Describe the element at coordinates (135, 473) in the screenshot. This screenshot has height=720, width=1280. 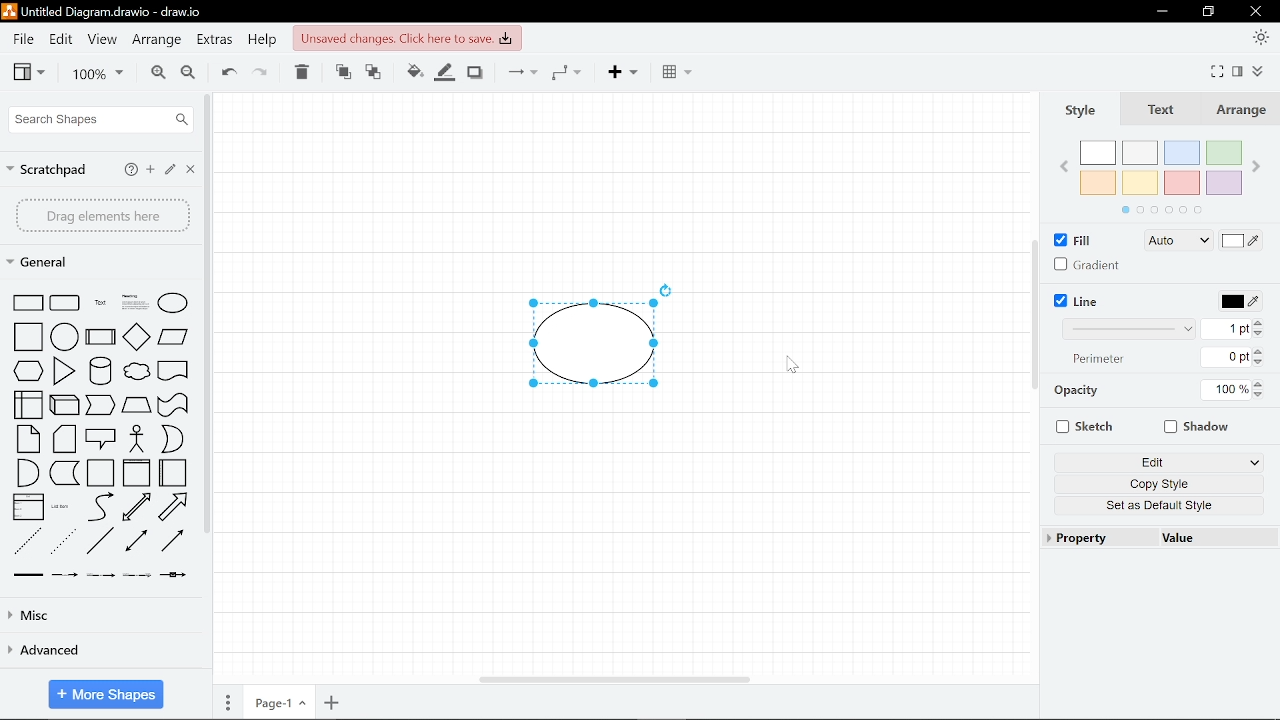
I see `vertical container` at that location.